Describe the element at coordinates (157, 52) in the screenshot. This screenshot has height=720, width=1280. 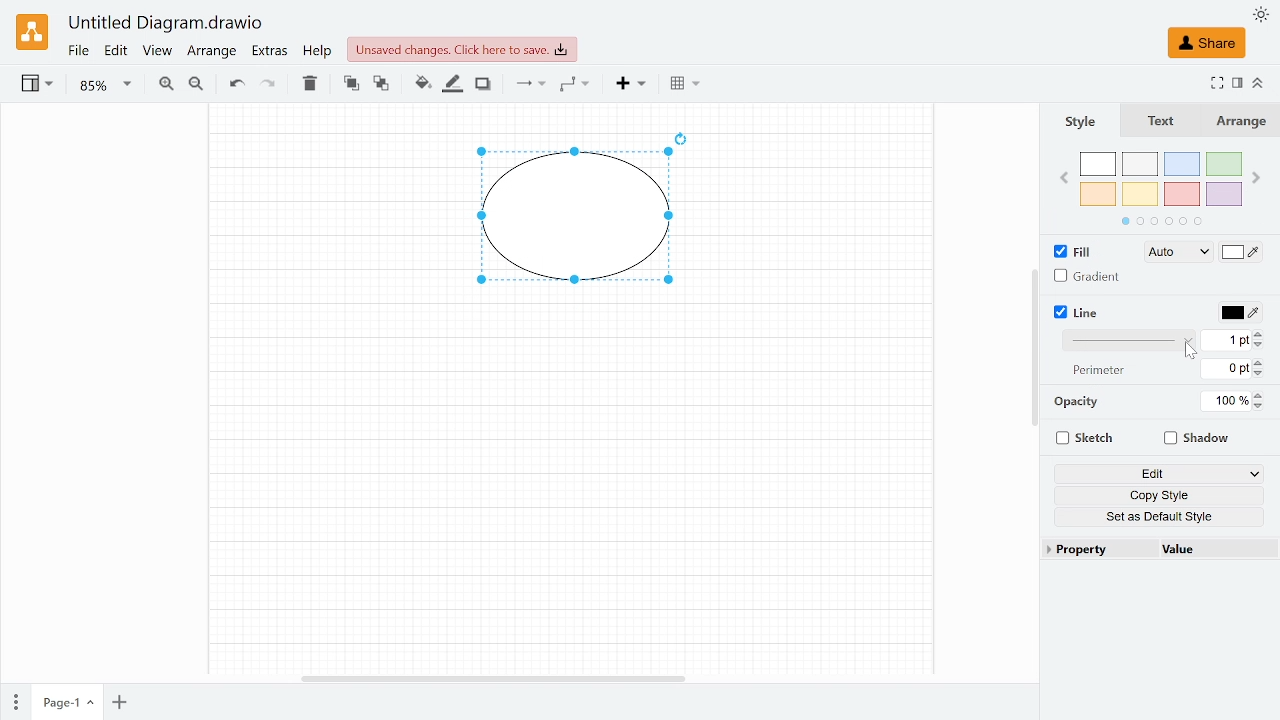
I see `View` at that location.